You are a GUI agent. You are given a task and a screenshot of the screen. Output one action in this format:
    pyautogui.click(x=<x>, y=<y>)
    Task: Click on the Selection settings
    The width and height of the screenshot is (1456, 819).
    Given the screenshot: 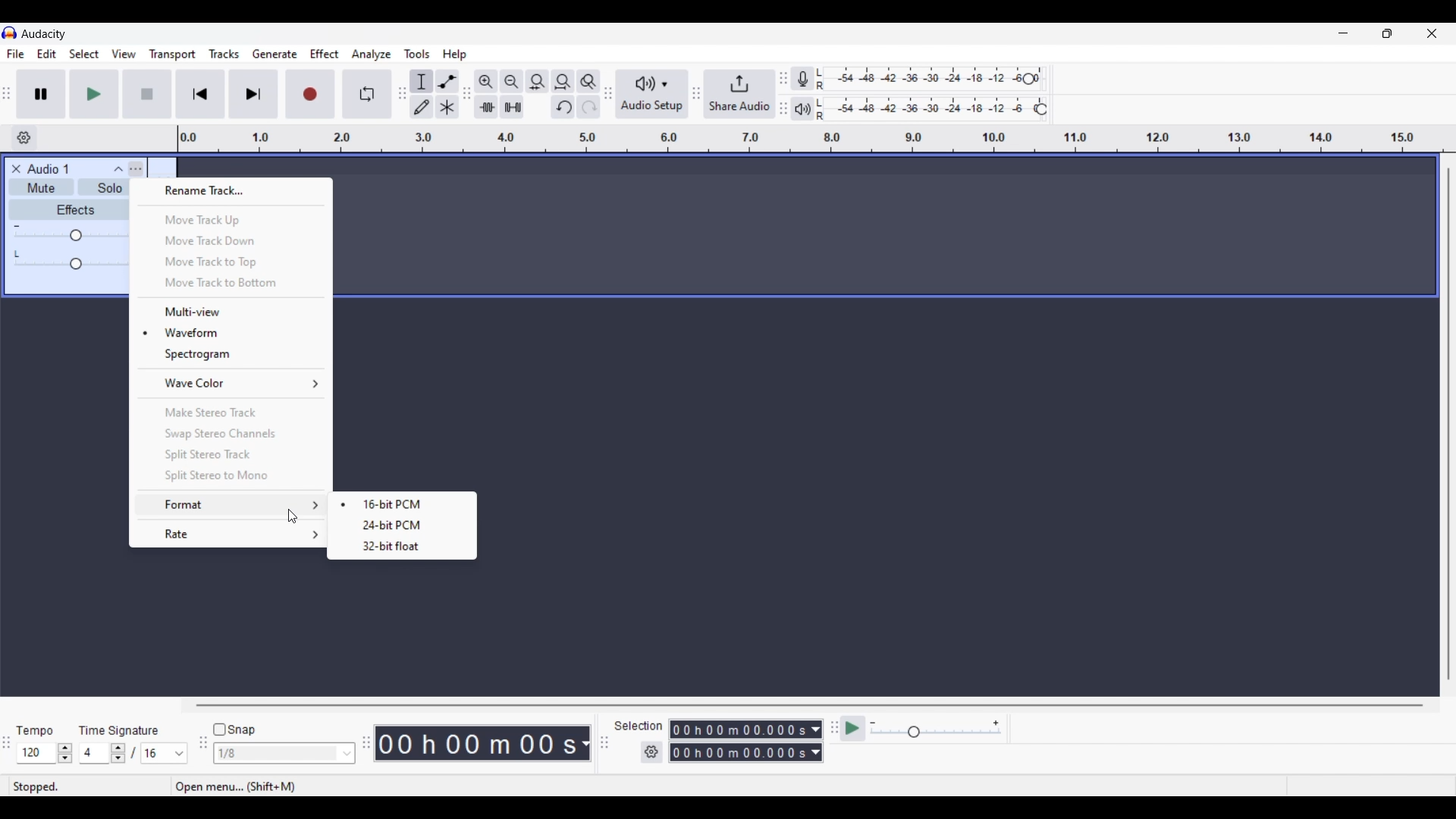 What is the action you would take?
    pyautogui.click(x=652, y=752)
    